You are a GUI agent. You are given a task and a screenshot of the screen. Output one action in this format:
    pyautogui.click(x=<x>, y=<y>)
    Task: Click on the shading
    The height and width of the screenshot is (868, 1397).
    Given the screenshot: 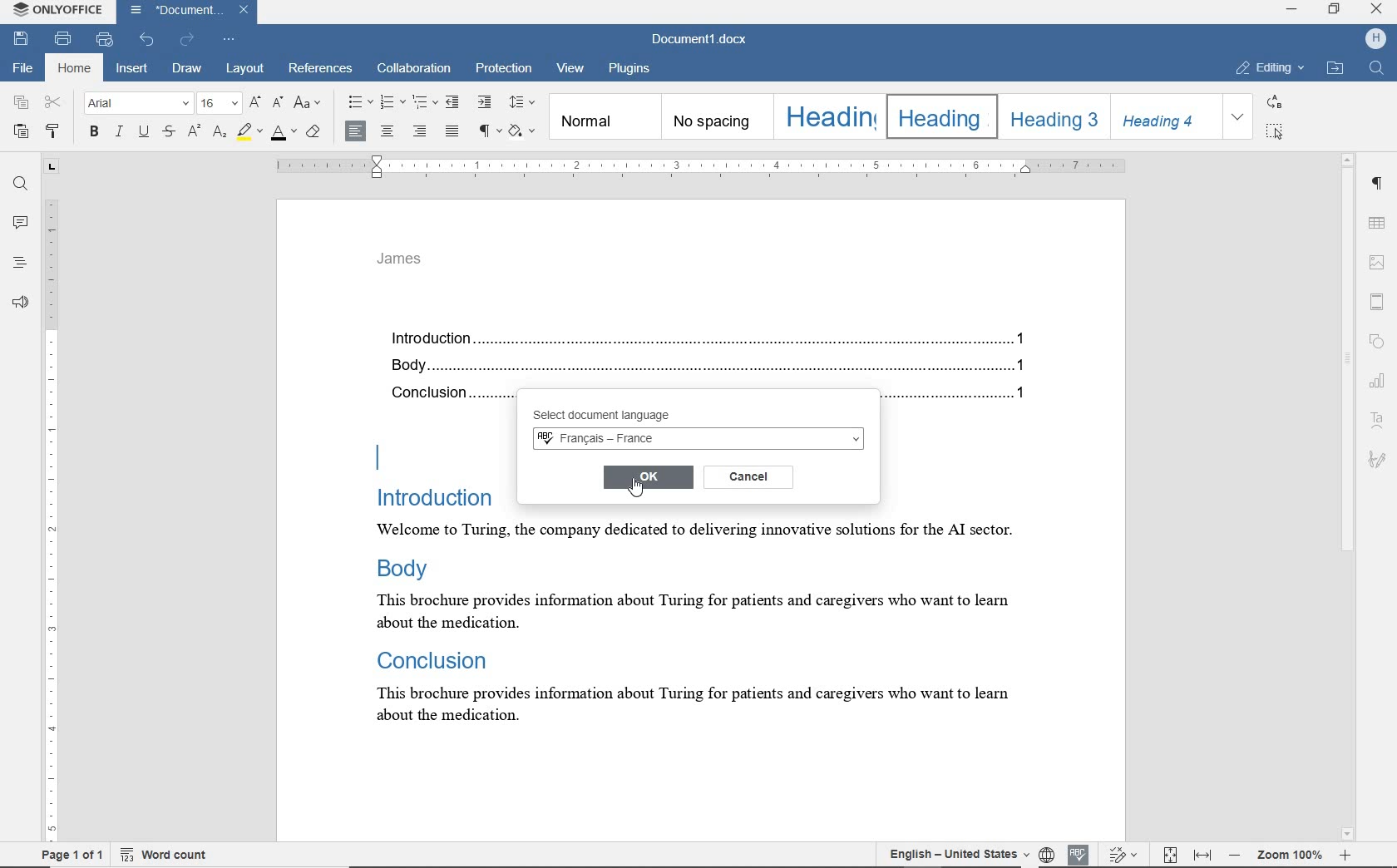 What is the action you would take?
    pyautogui.click(x=525, y=131)
    